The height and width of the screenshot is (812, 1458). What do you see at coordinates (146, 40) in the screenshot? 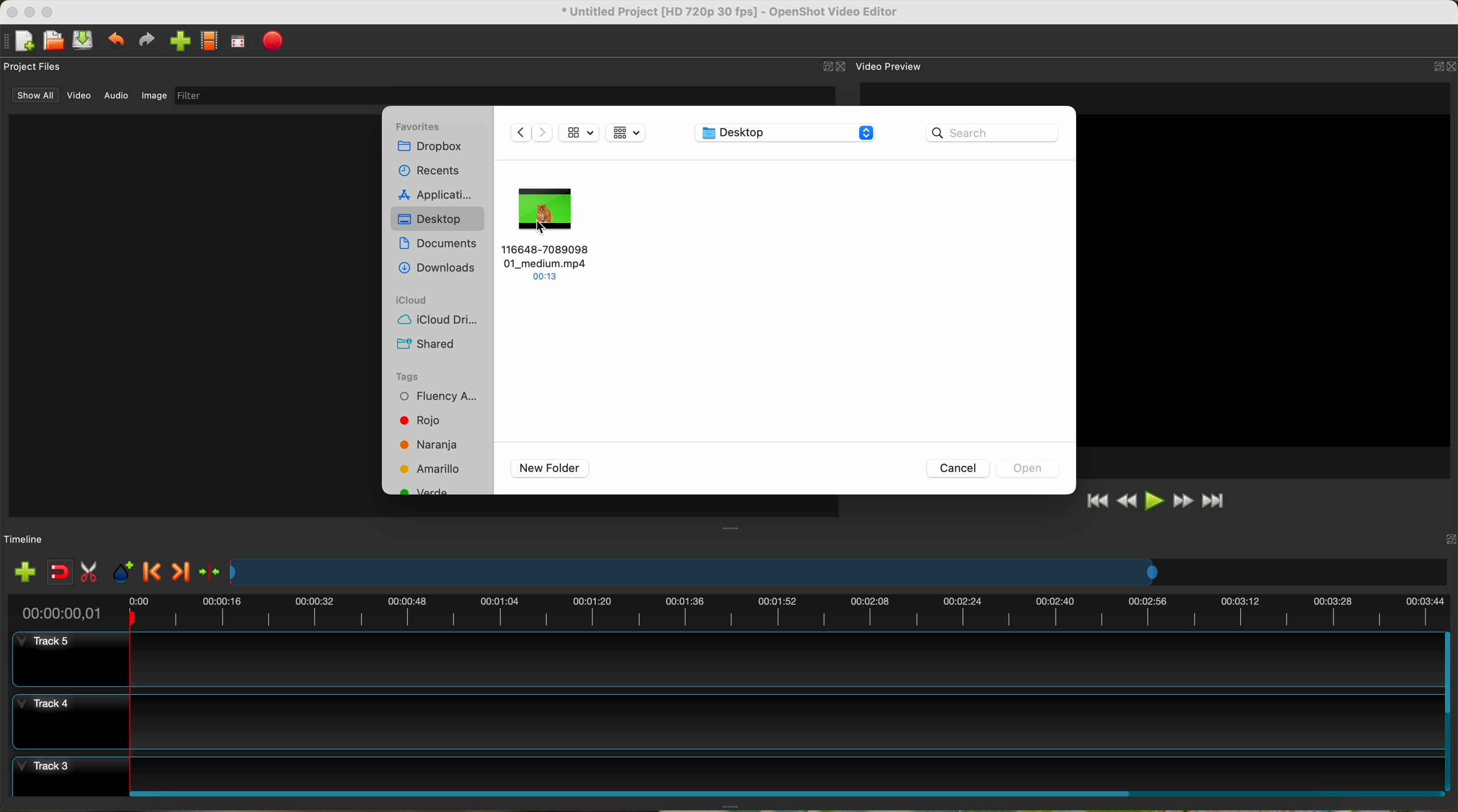
I see `redo` at bounding box center [146, 40].